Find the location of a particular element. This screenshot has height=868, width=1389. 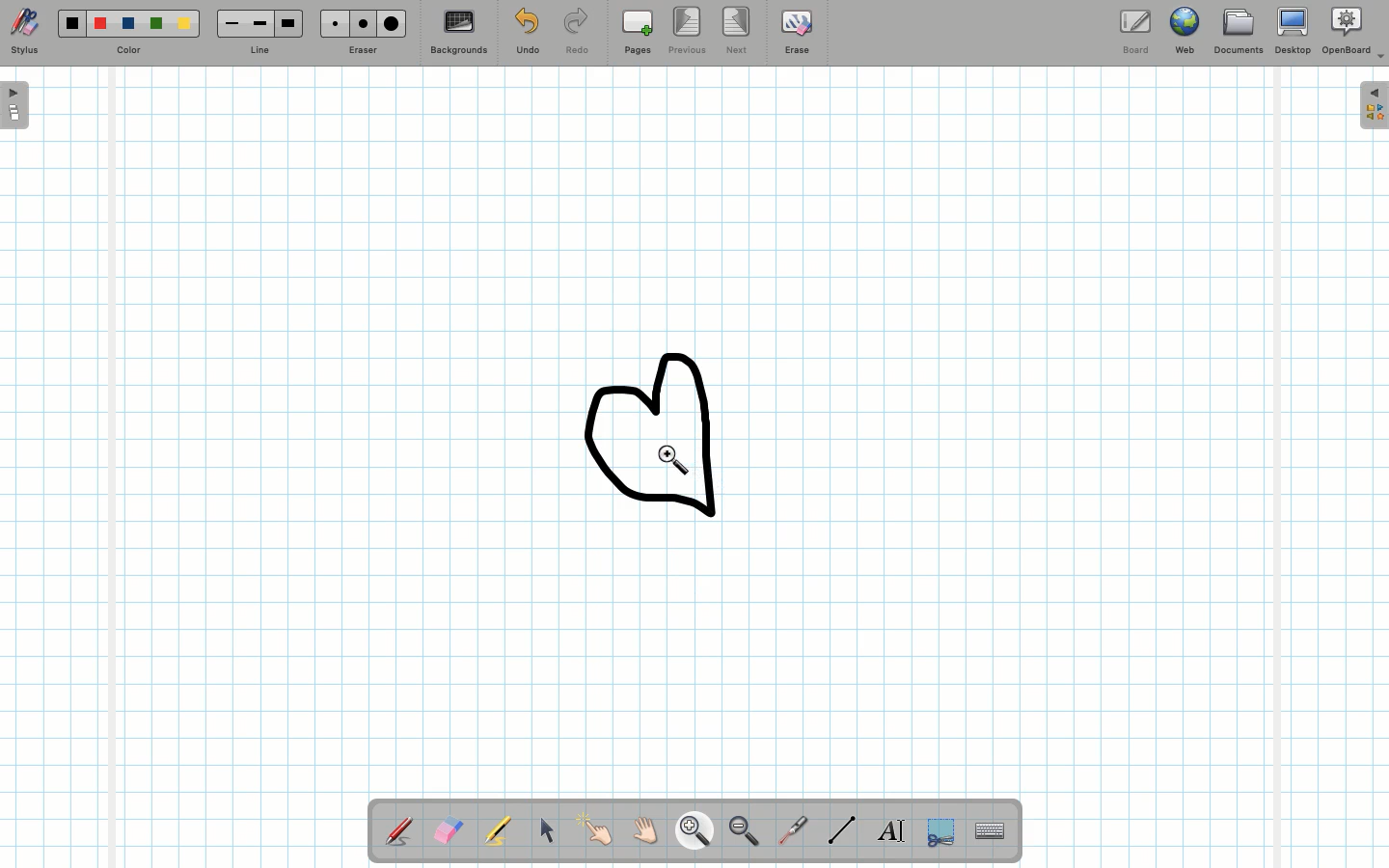

Laser pointer is located at coordinates (794, 827).